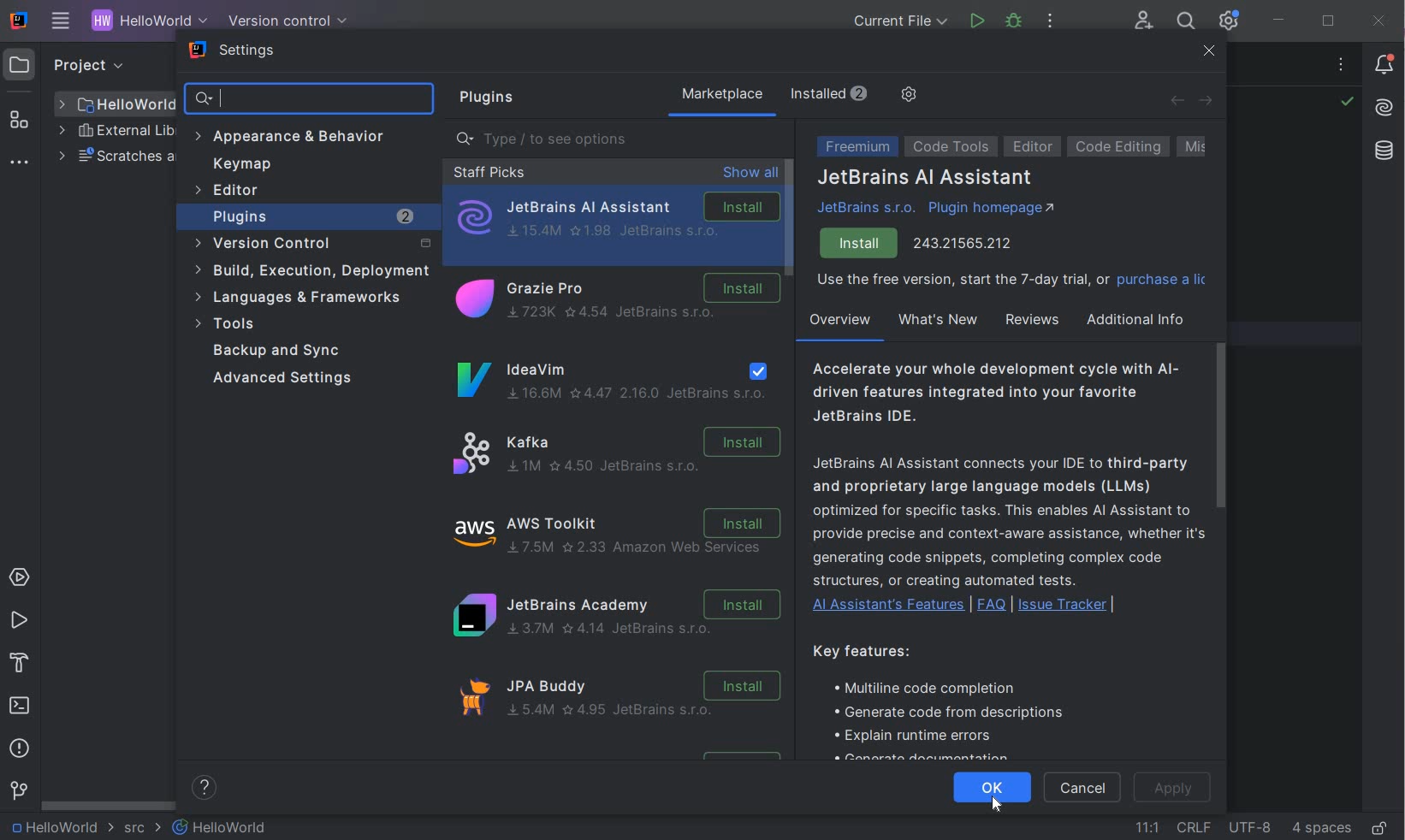 Image resolution: width=1405 pixels, height=840 pixels. I want to click on version control, so click(310, 244).